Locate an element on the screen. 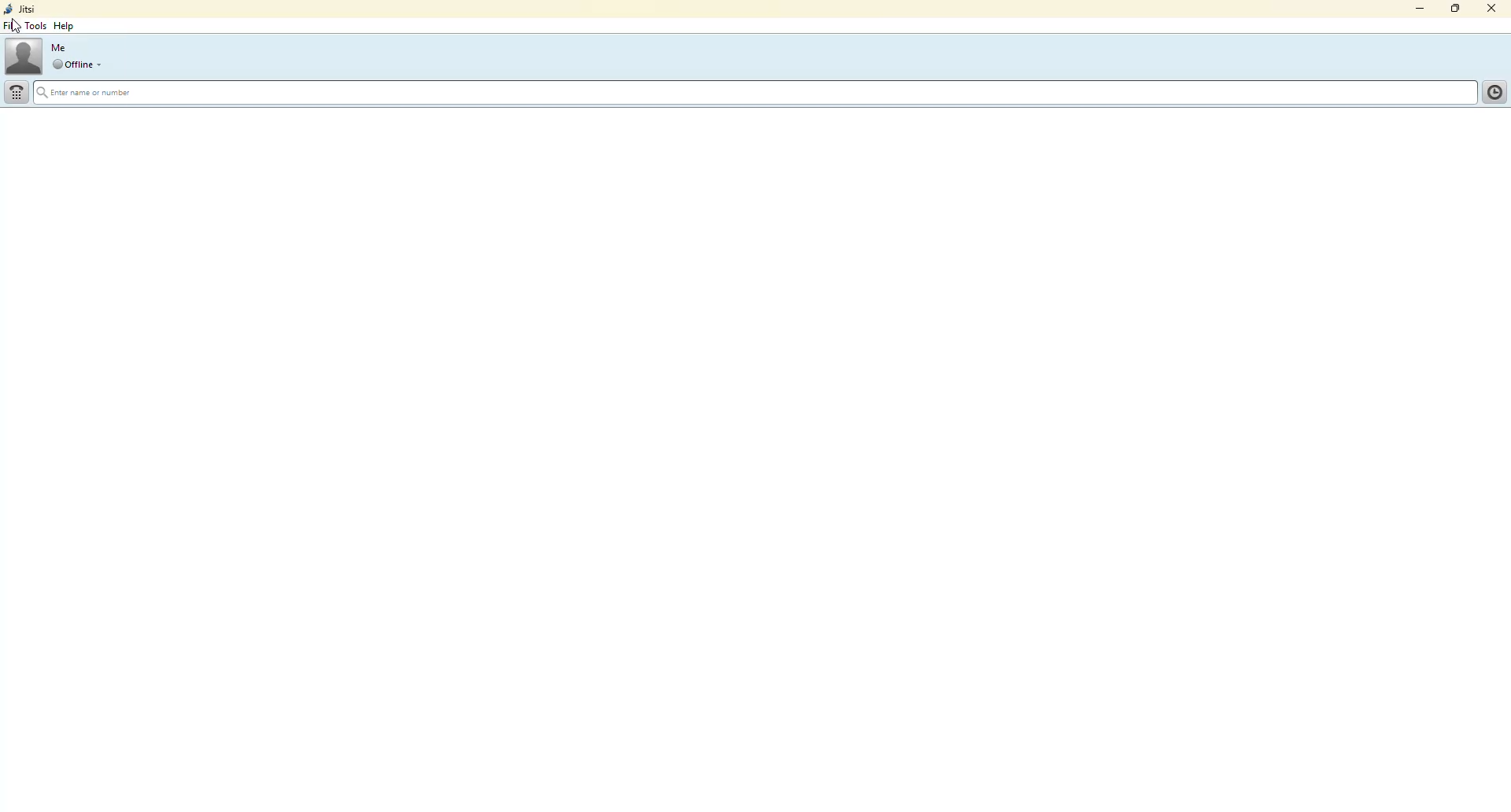 The height and width of the screenshot is (812, 1511). offline is located at coordinates (72, 64).